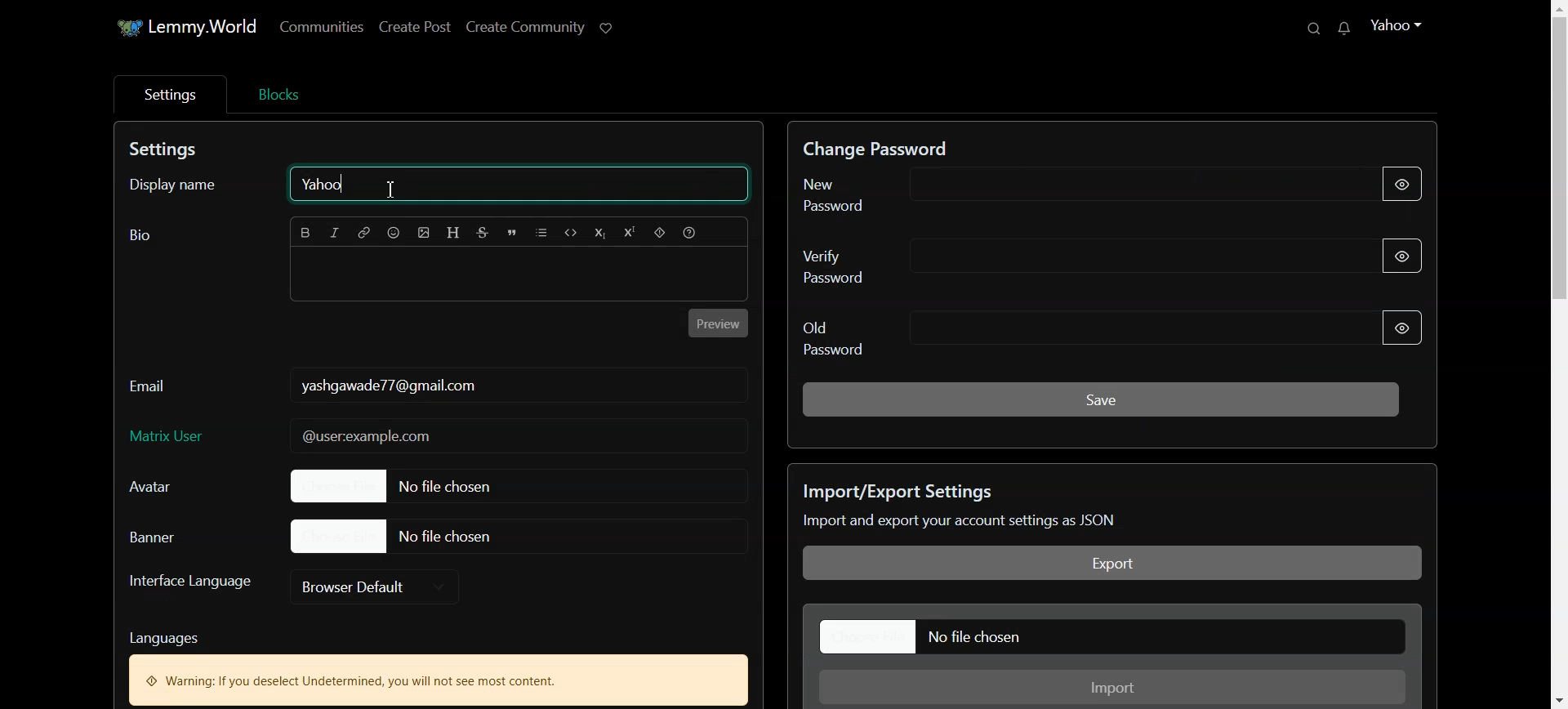  What do you see at coordinates (395, 535) in the screenshot?
I see `File Chosen` at bounding box center [395, 535].